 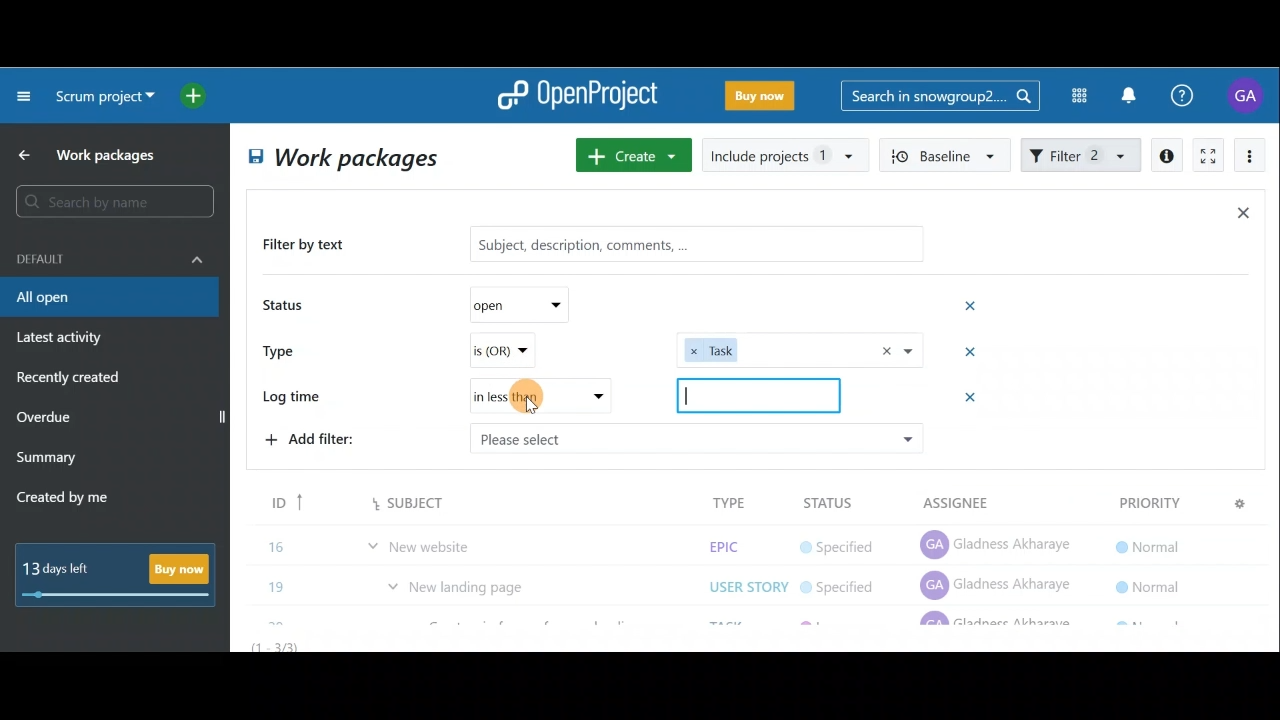 I want to click on specified, so click(x=837, y=503).